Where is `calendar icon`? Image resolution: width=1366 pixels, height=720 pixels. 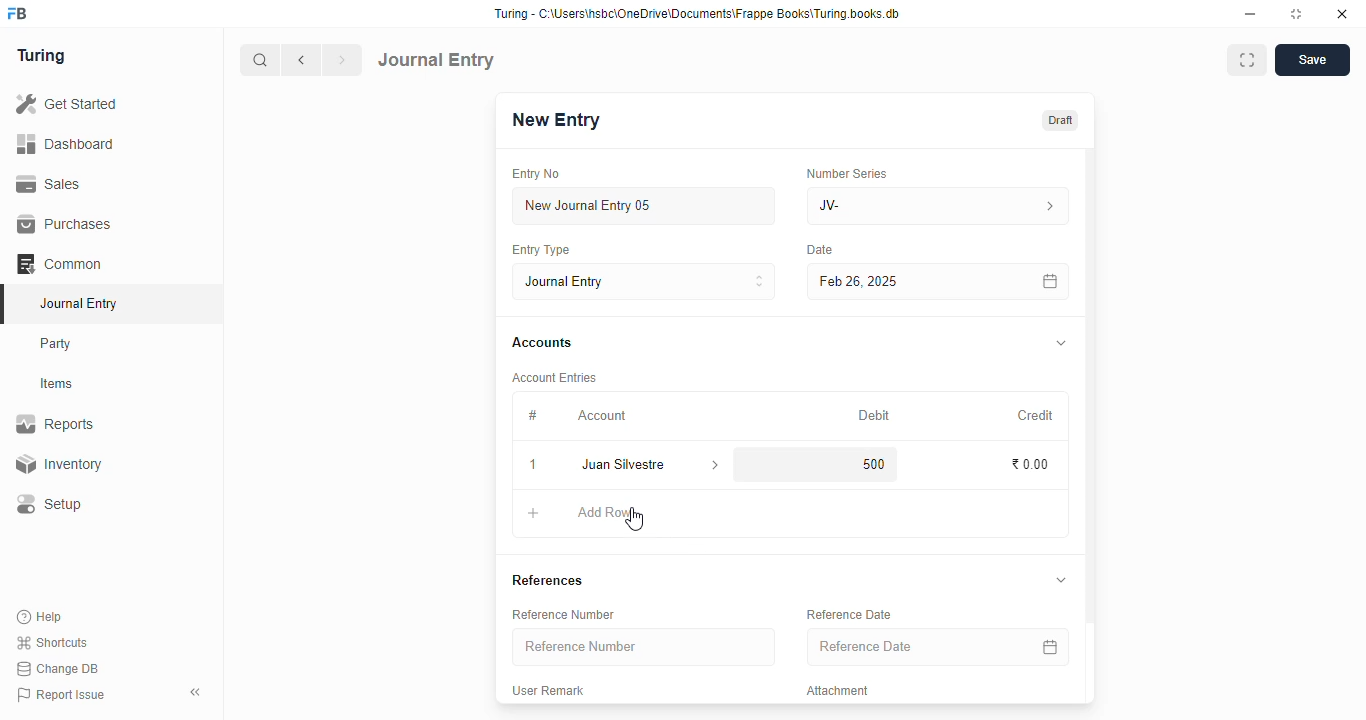
calendar icon is located at coordinates (1049, 281).